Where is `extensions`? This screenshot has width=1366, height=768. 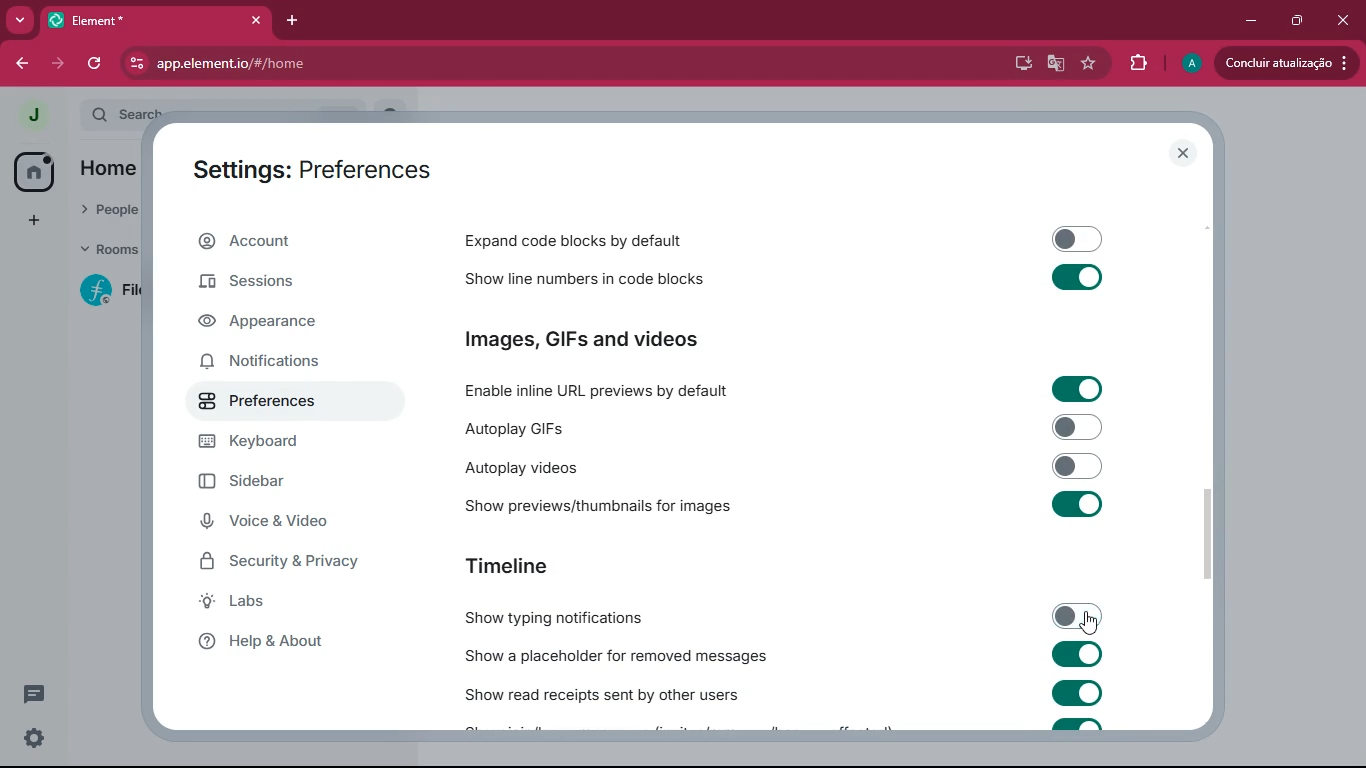
extensions is located at coordinates (1139, 63).